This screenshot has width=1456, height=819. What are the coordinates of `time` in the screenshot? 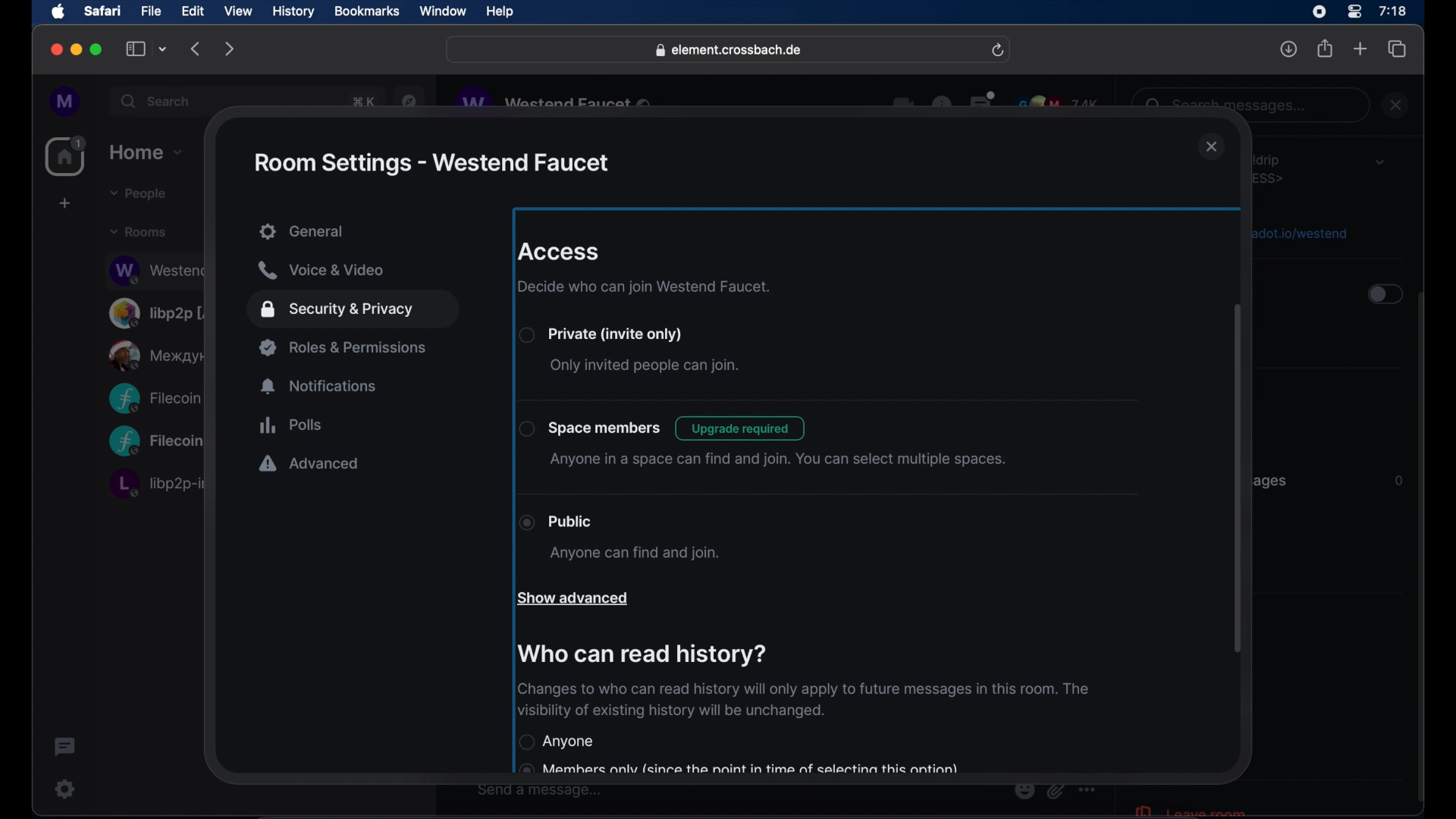 It's located at (1392, 11).